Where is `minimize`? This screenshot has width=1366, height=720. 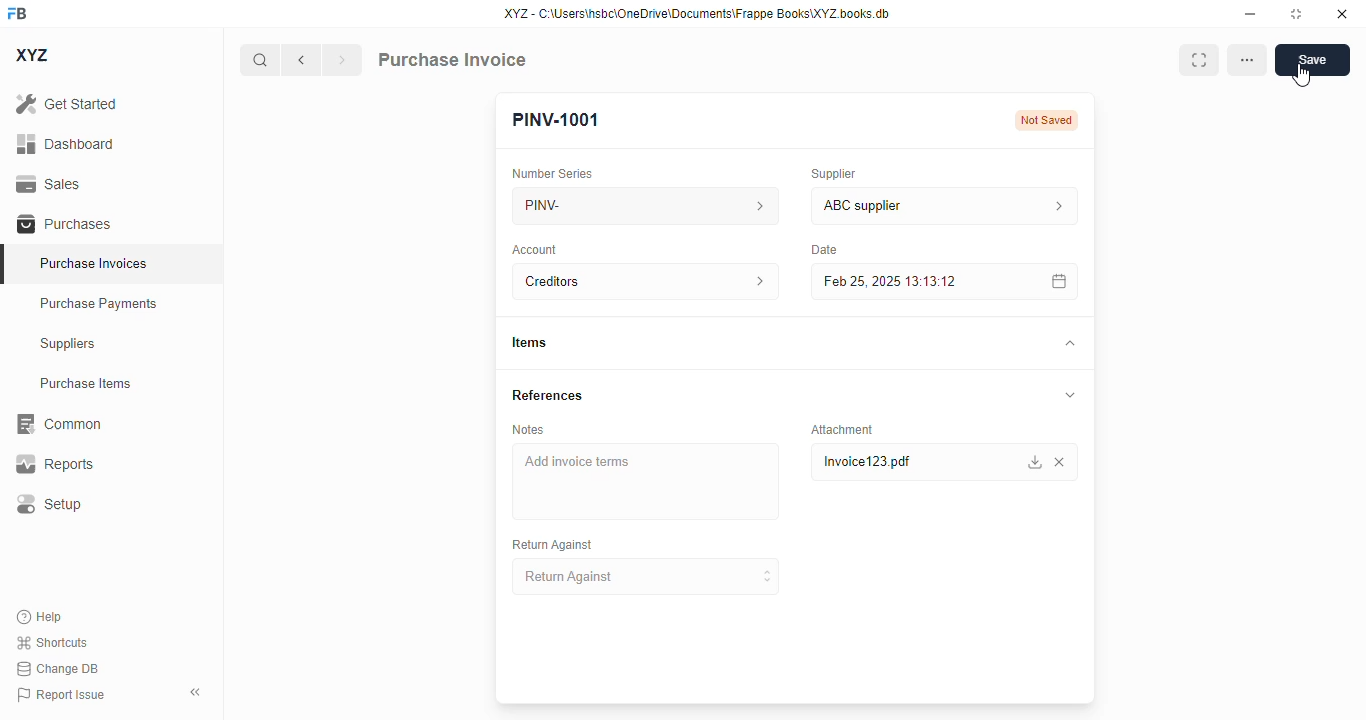 minimize is located at coordinates (1250, 13).